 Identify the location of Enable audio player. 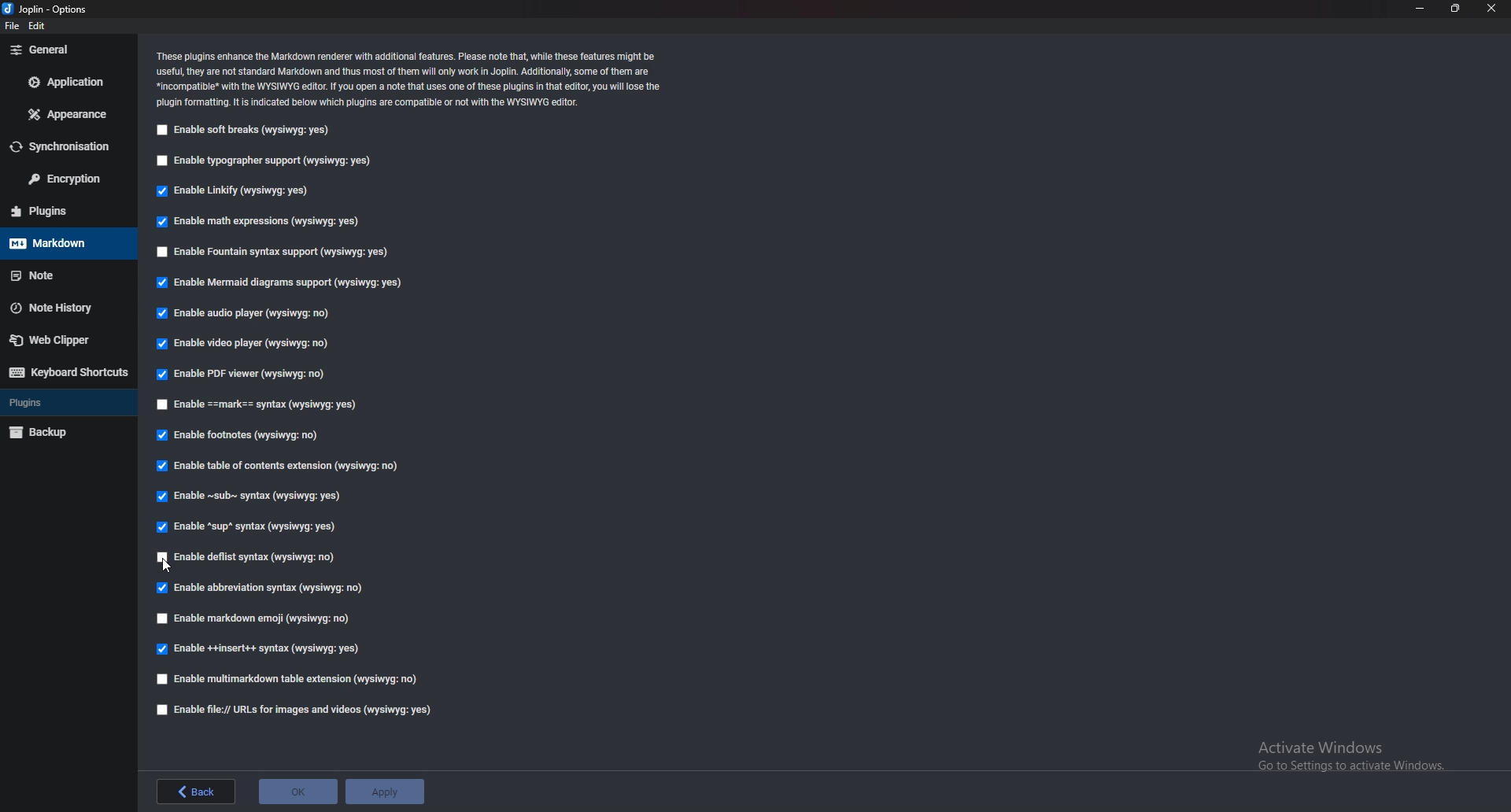
(249, 315).